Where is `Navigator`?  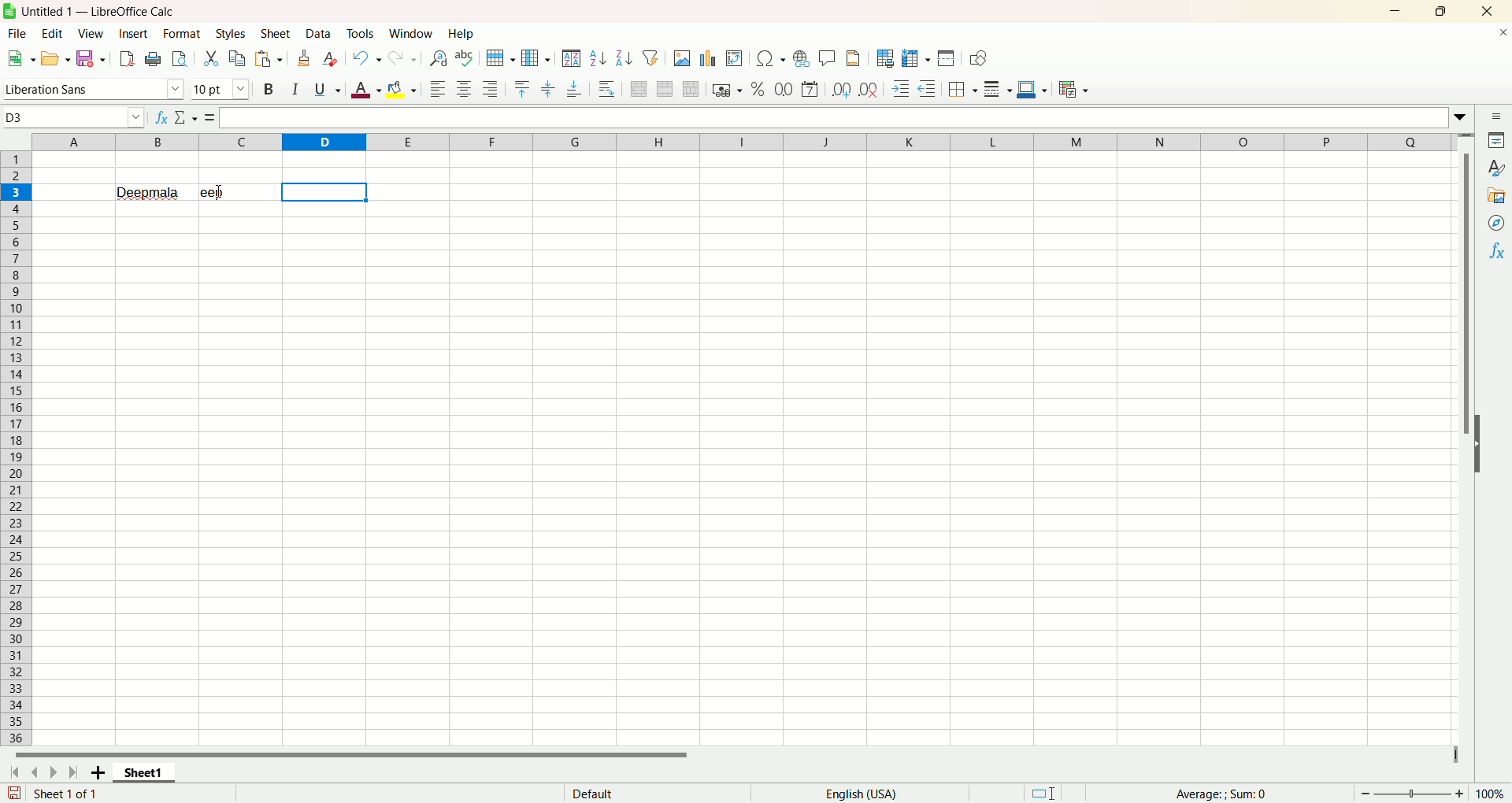
Navigator is located at coordinates (1494, 224).